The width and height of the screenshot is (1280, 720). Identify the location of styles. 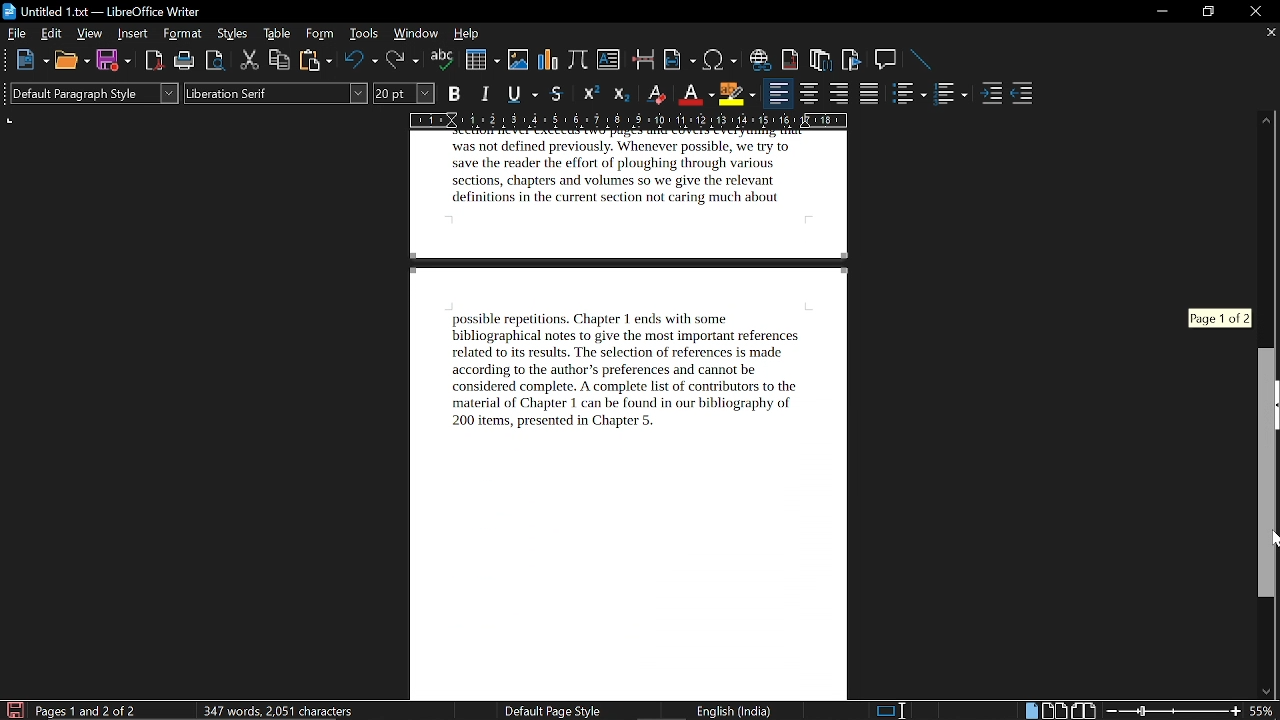
(232, 34).